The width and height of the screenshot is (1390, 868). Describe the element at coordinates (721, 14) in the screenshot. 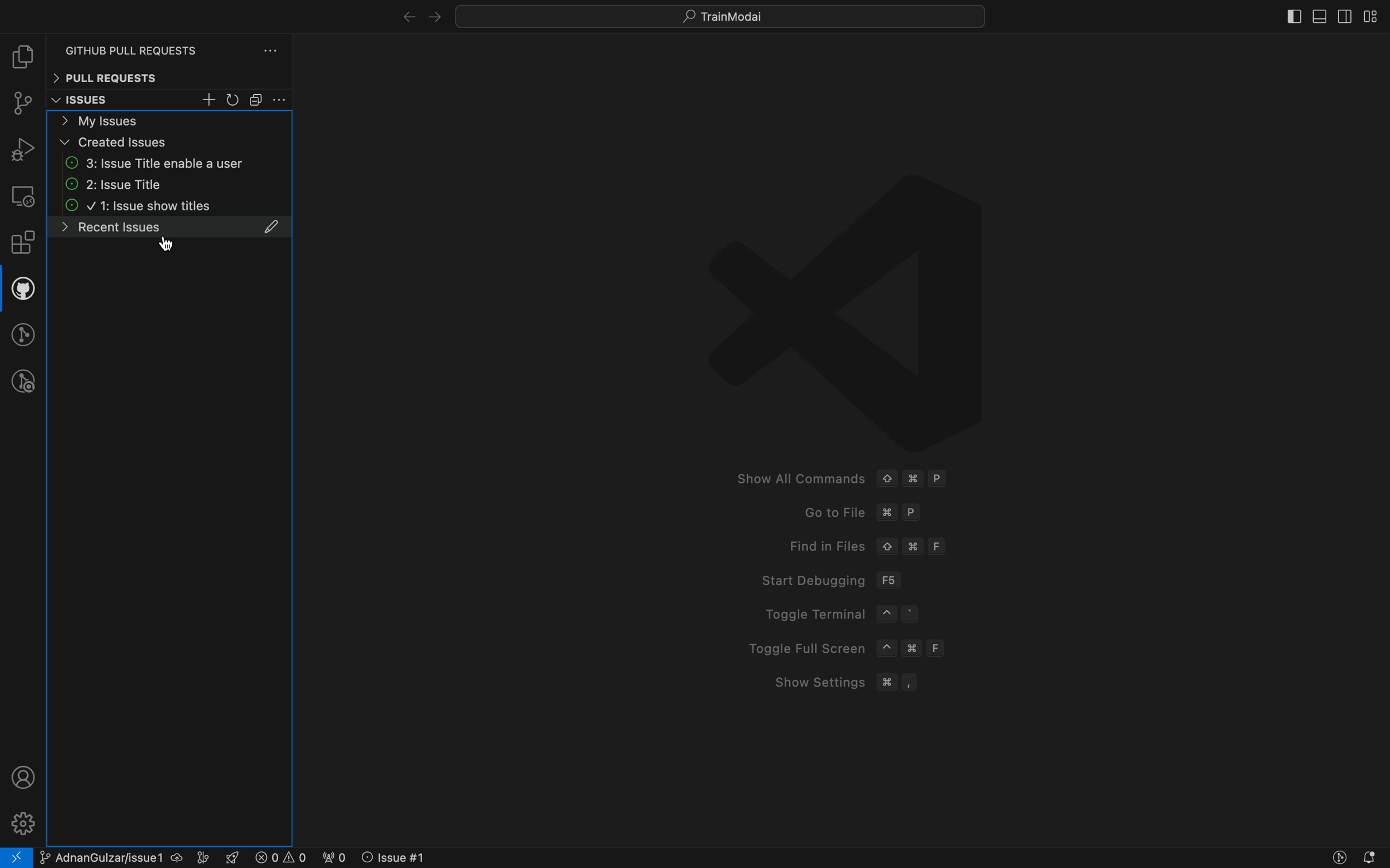

I see `quick menu` at that location.